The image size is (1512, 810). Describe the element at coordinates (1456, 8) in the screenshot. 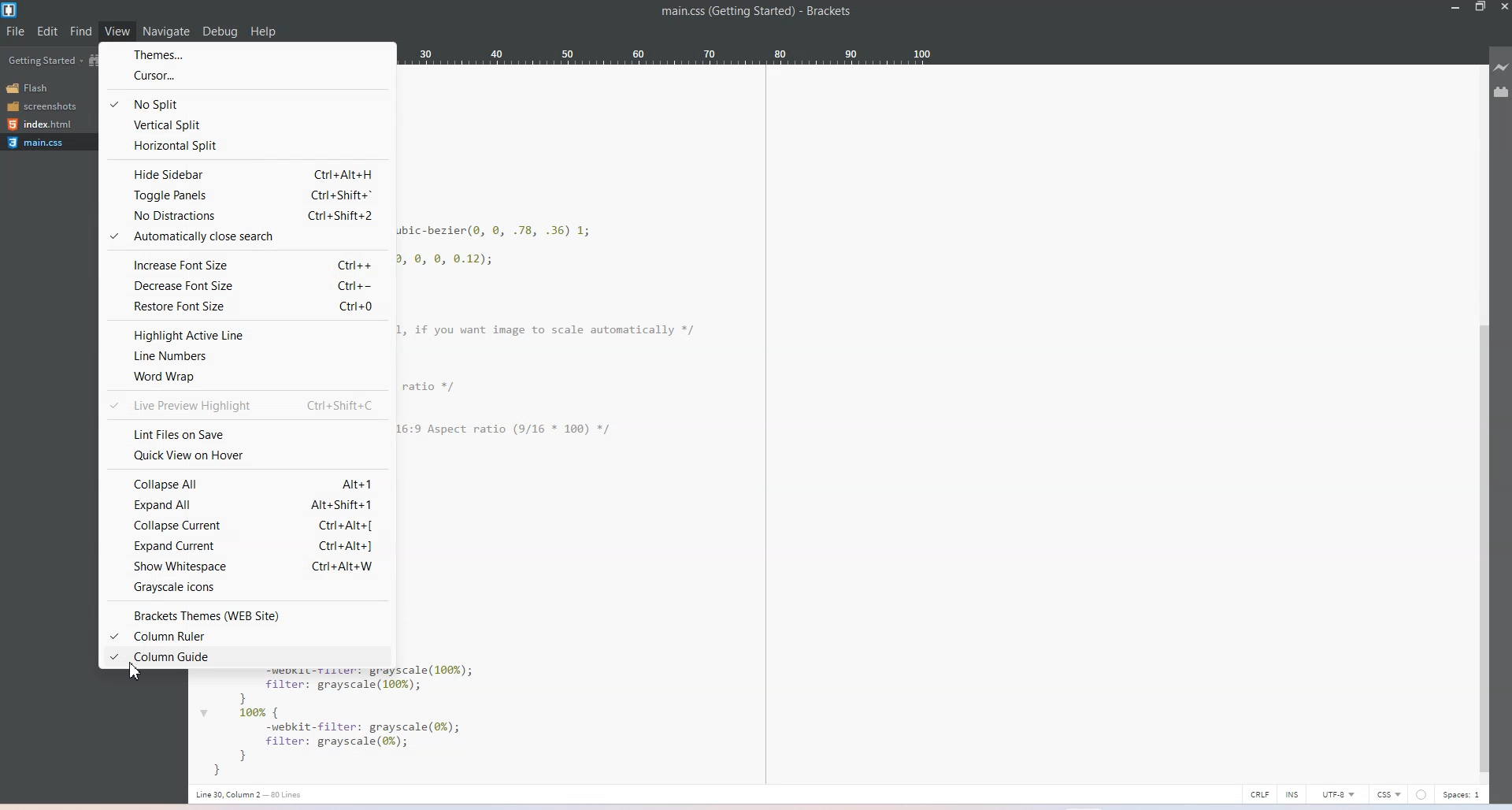

I see `Minimize` at that location.